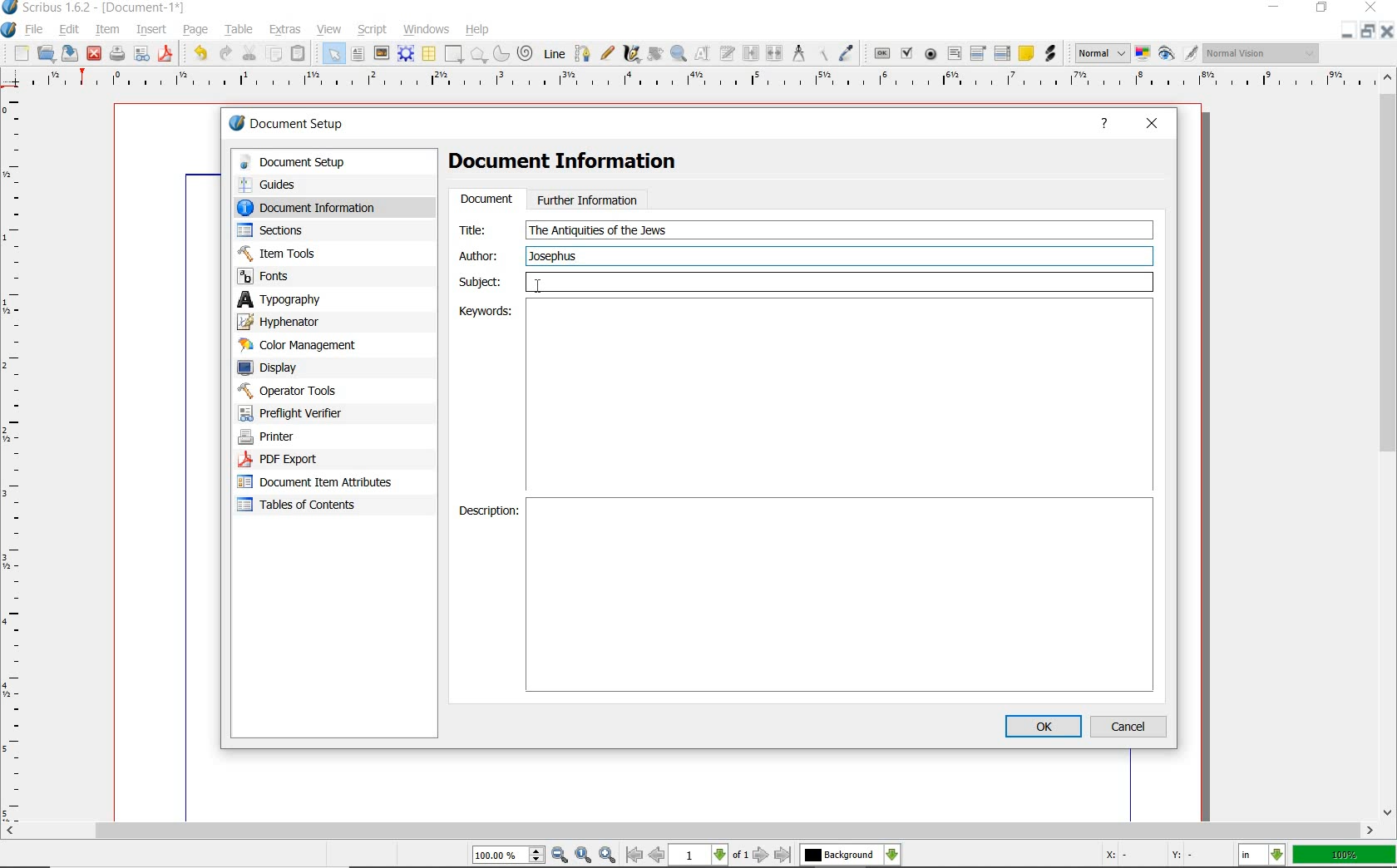 The image size is (1397, 868). I want to click on pdf check box, so click(908, 52).